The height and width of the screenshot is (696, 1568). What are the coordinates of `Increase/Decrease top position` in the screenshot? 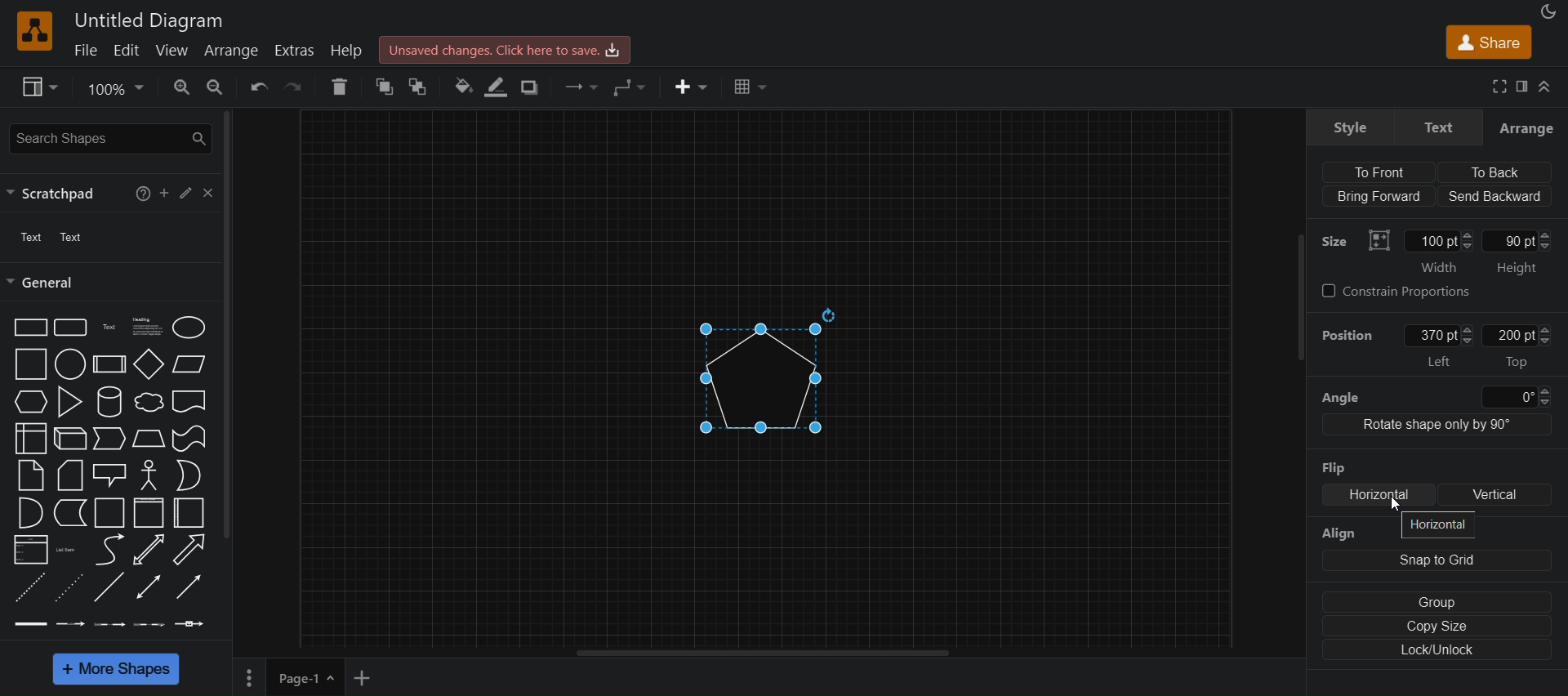 It's located at (1544, 335).